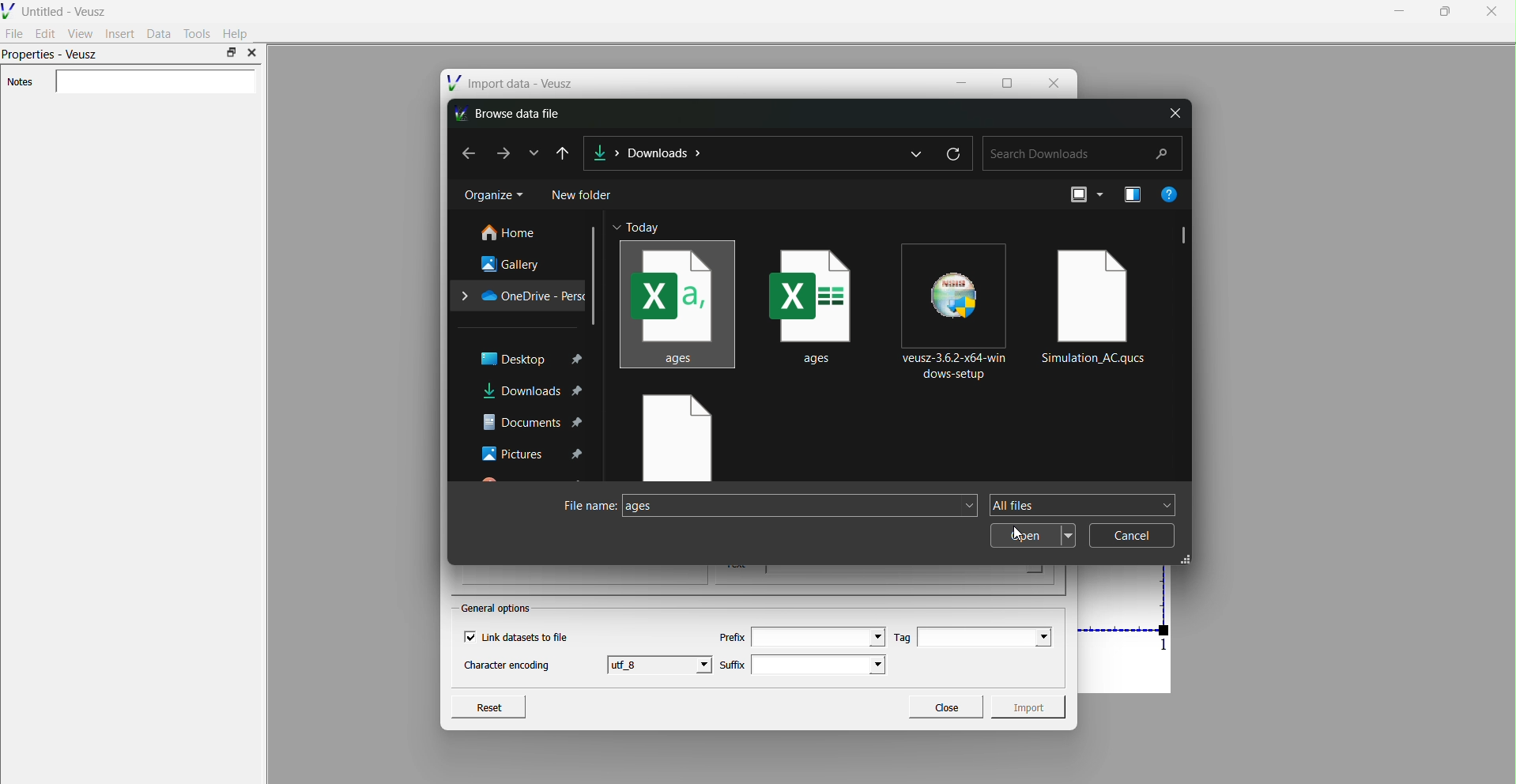  What do you see at coordinates (159, 33) in the screenshot?
I see `Data` at bounding box center [159, 33].